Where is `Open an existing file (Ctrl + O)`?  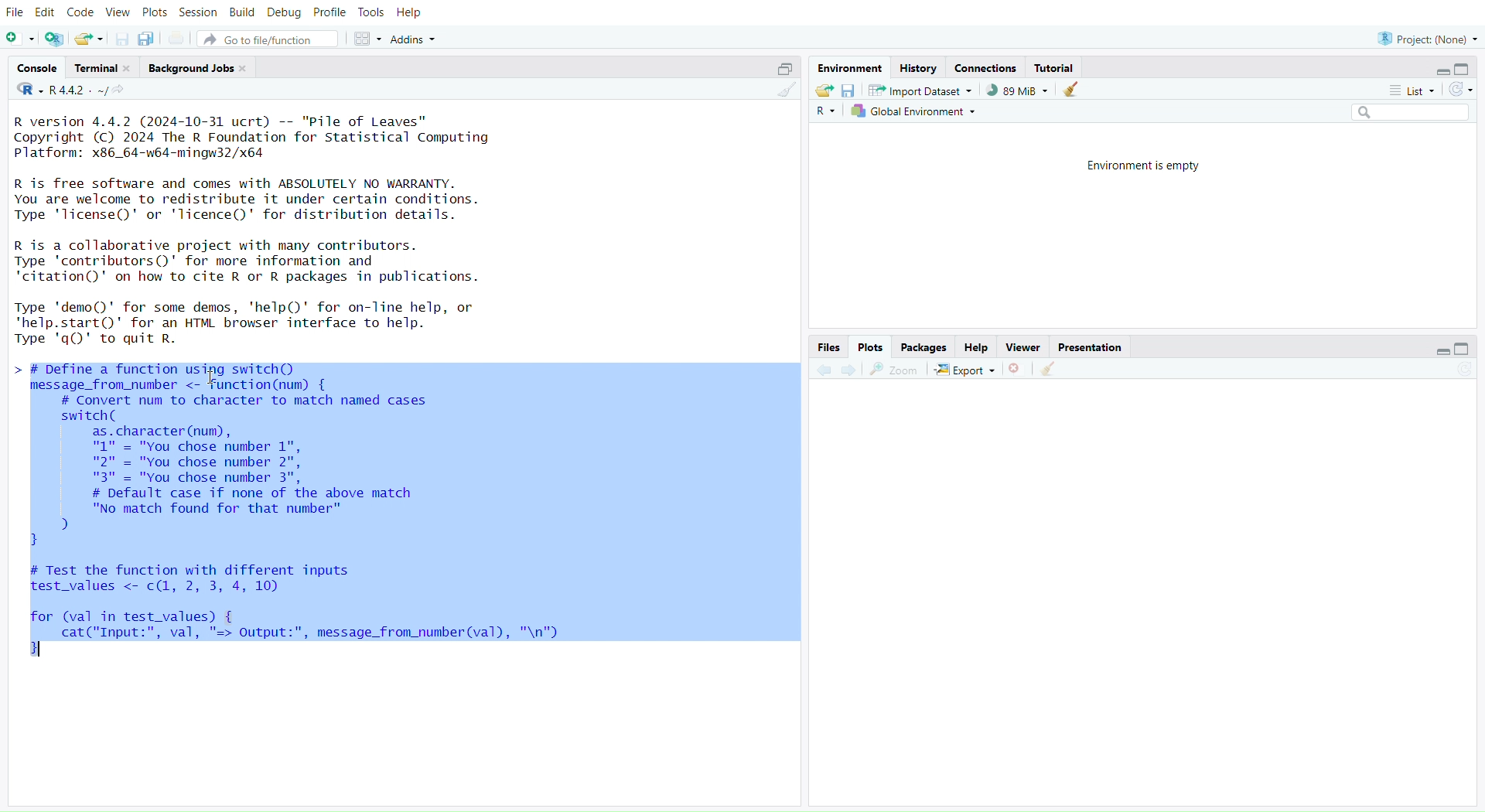 Open an existing file (Ctrl + O) is located at coordinates (88, 39).